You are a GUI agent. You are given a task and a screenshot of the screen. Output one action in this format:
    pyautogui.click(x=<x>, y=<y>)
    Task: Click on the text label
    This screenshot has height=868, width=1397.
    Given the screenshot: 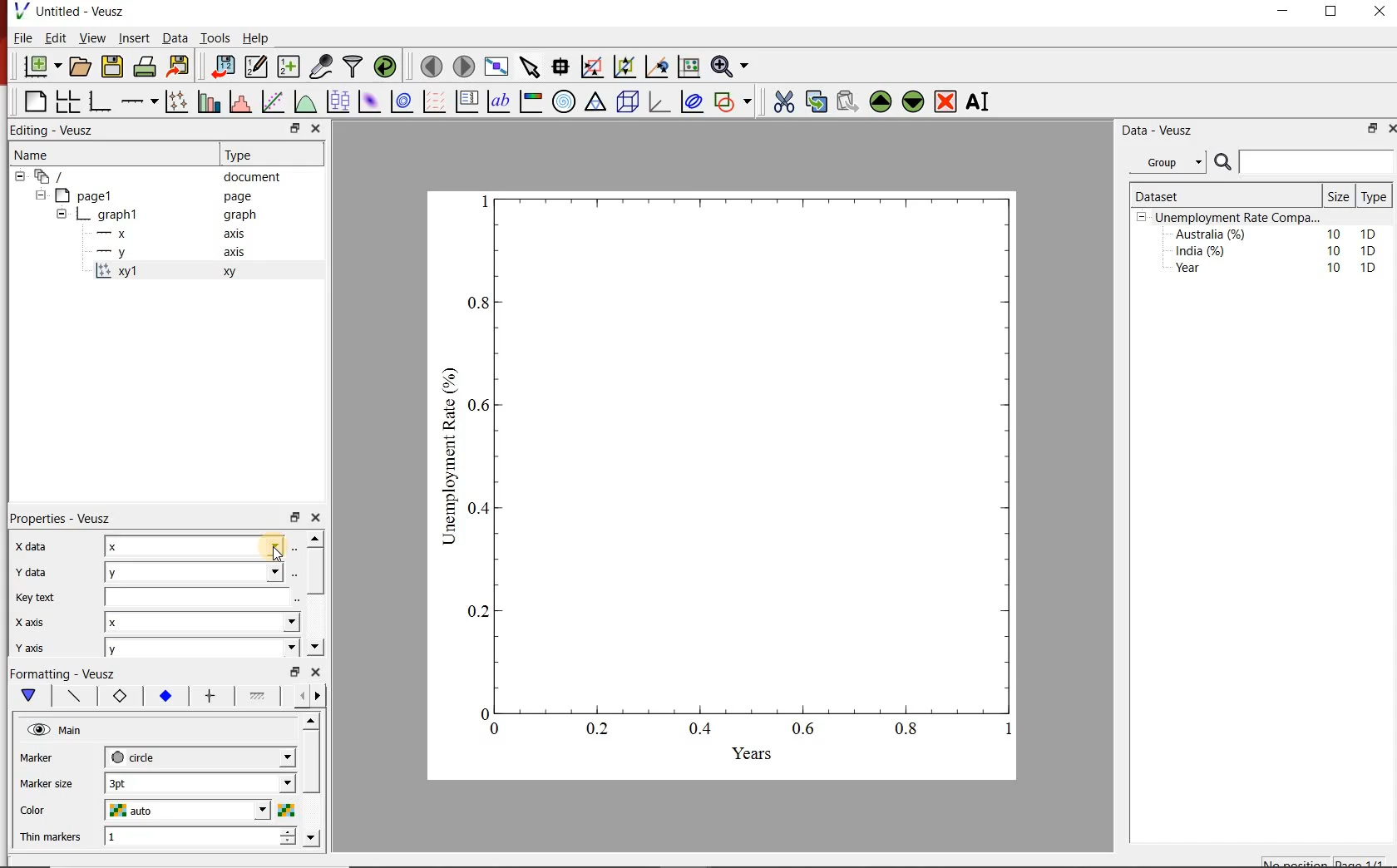 What is the action you would take?
    pyautogui.click(x=499, y=101)
    